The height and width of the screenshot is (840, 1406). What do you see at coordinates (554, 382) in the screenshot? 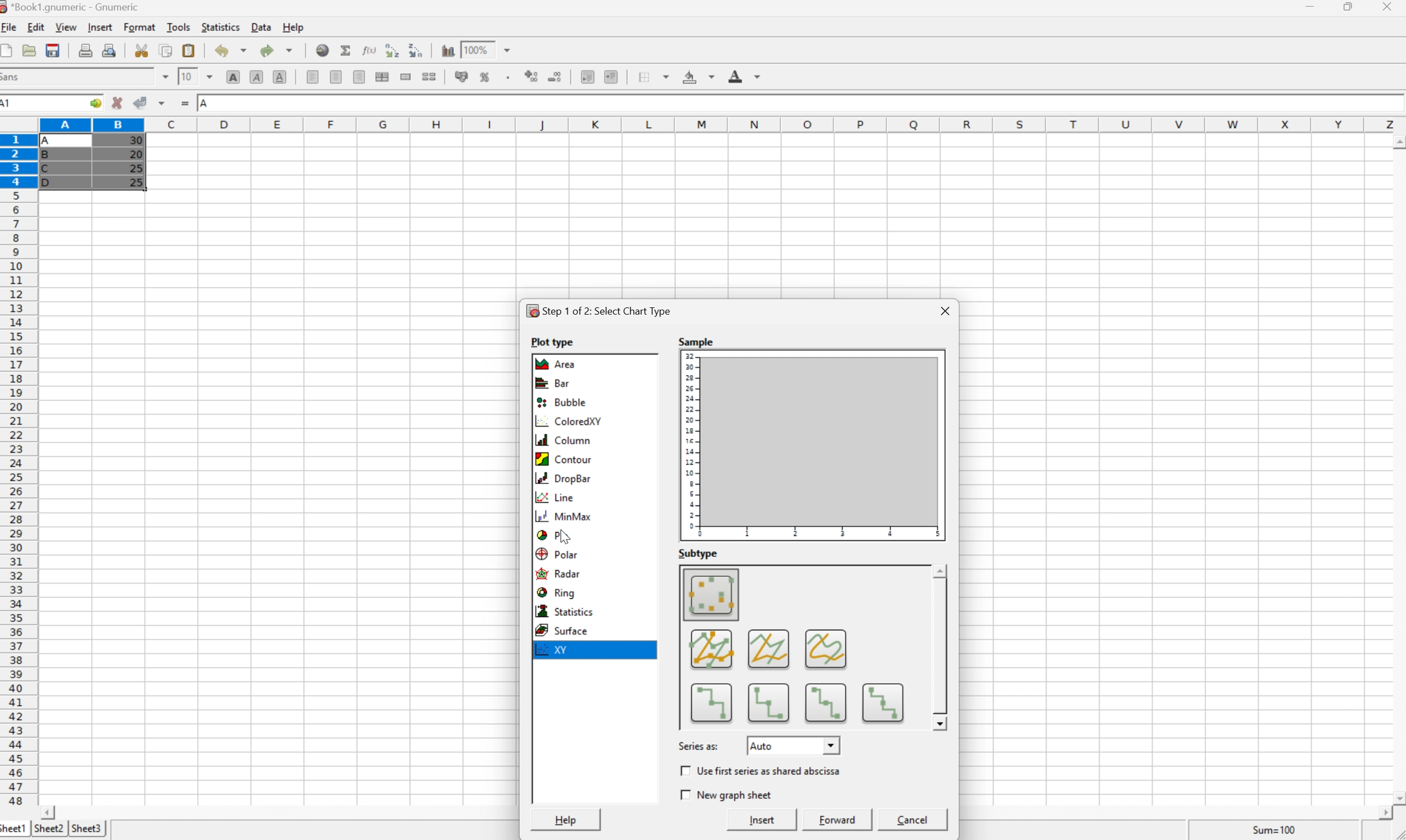
I see `Bar` at bounding box center [554, 382].